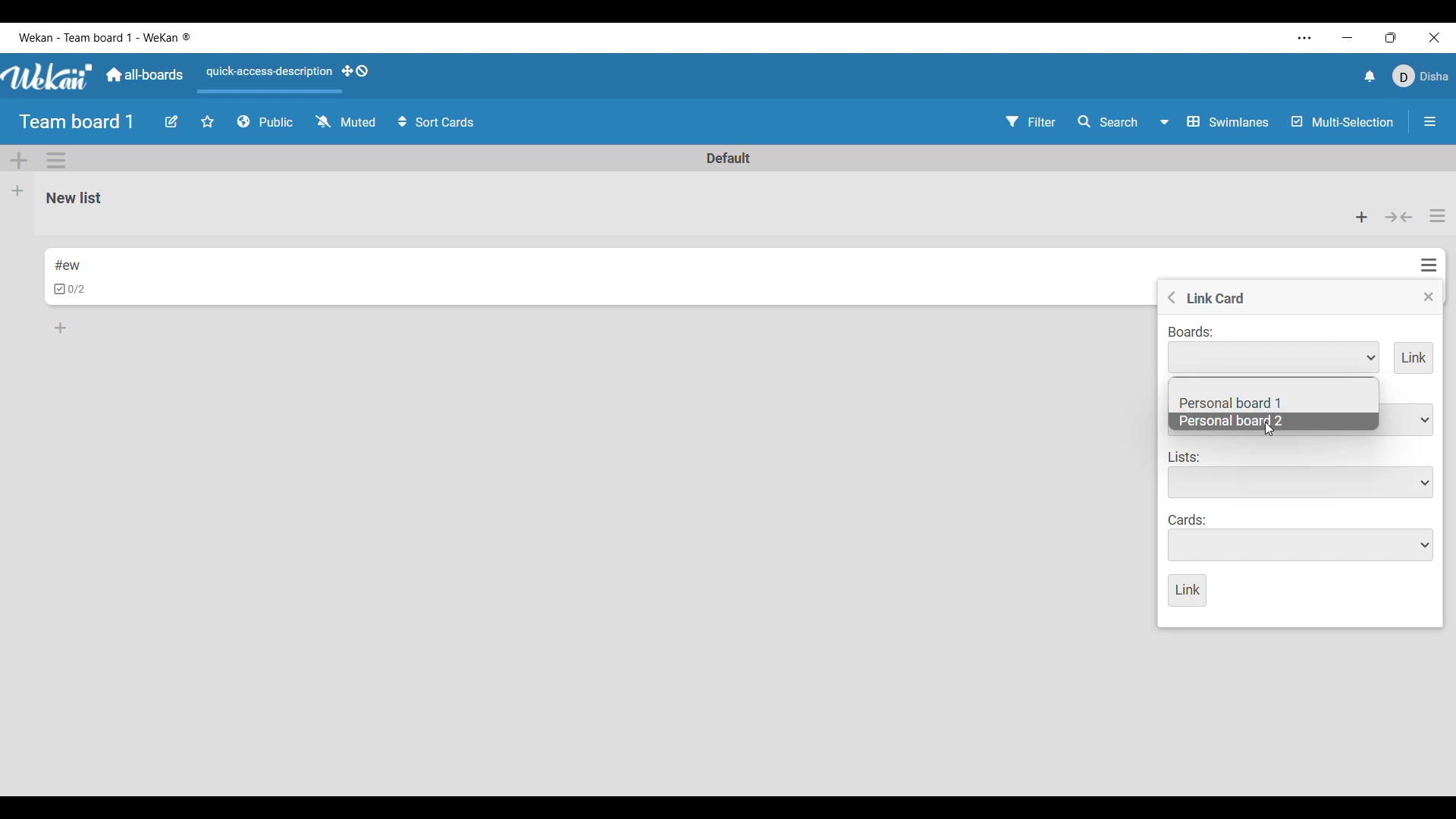 Image resolution: width=1456 pixels, height=819 pixels. Describe the element at coordinates (61, 328) in the screenshot. I see `Add card to bottom of list` at that location.